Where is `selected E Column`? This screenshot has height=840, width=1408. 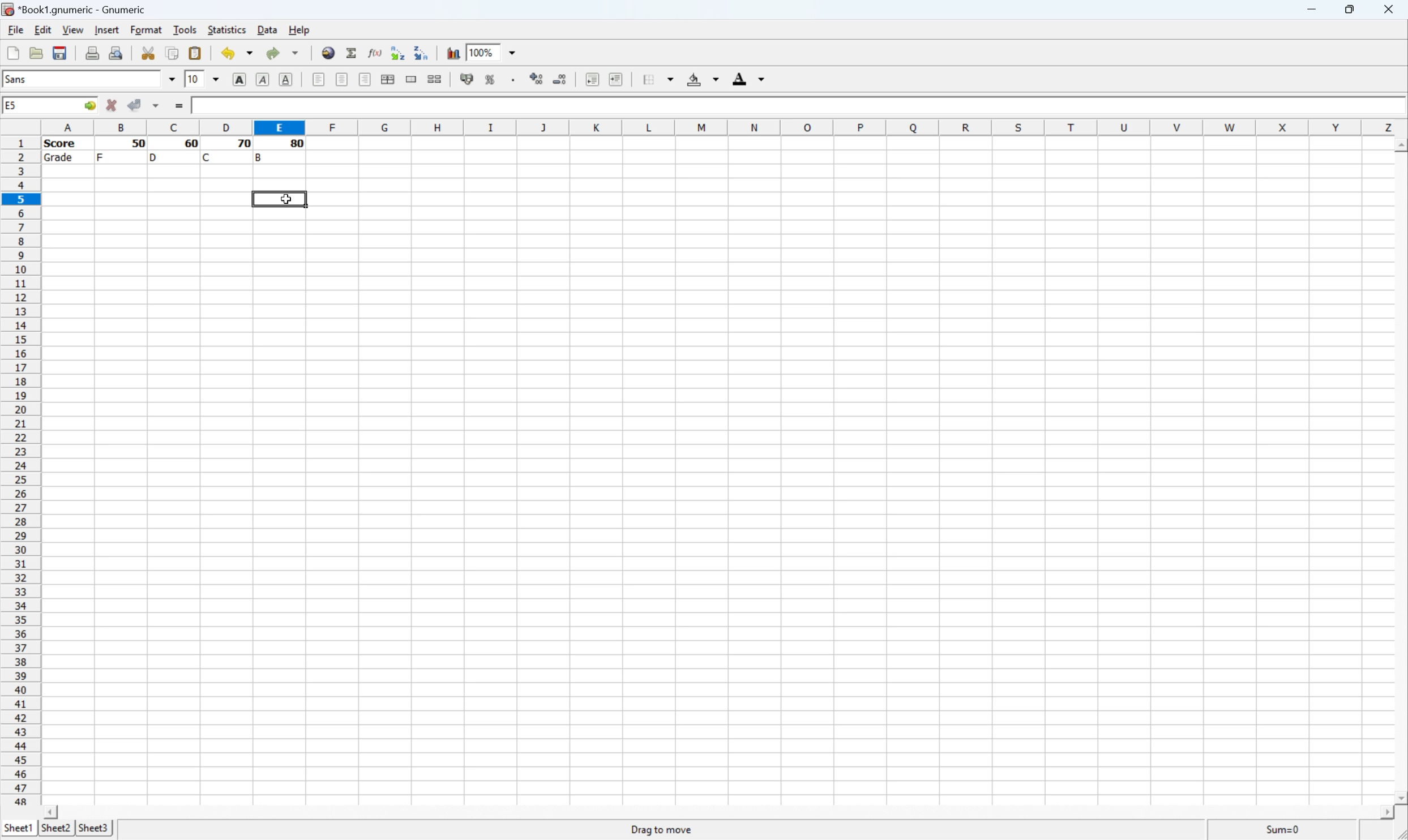
selected E Column is located at coordinates (276, 126).